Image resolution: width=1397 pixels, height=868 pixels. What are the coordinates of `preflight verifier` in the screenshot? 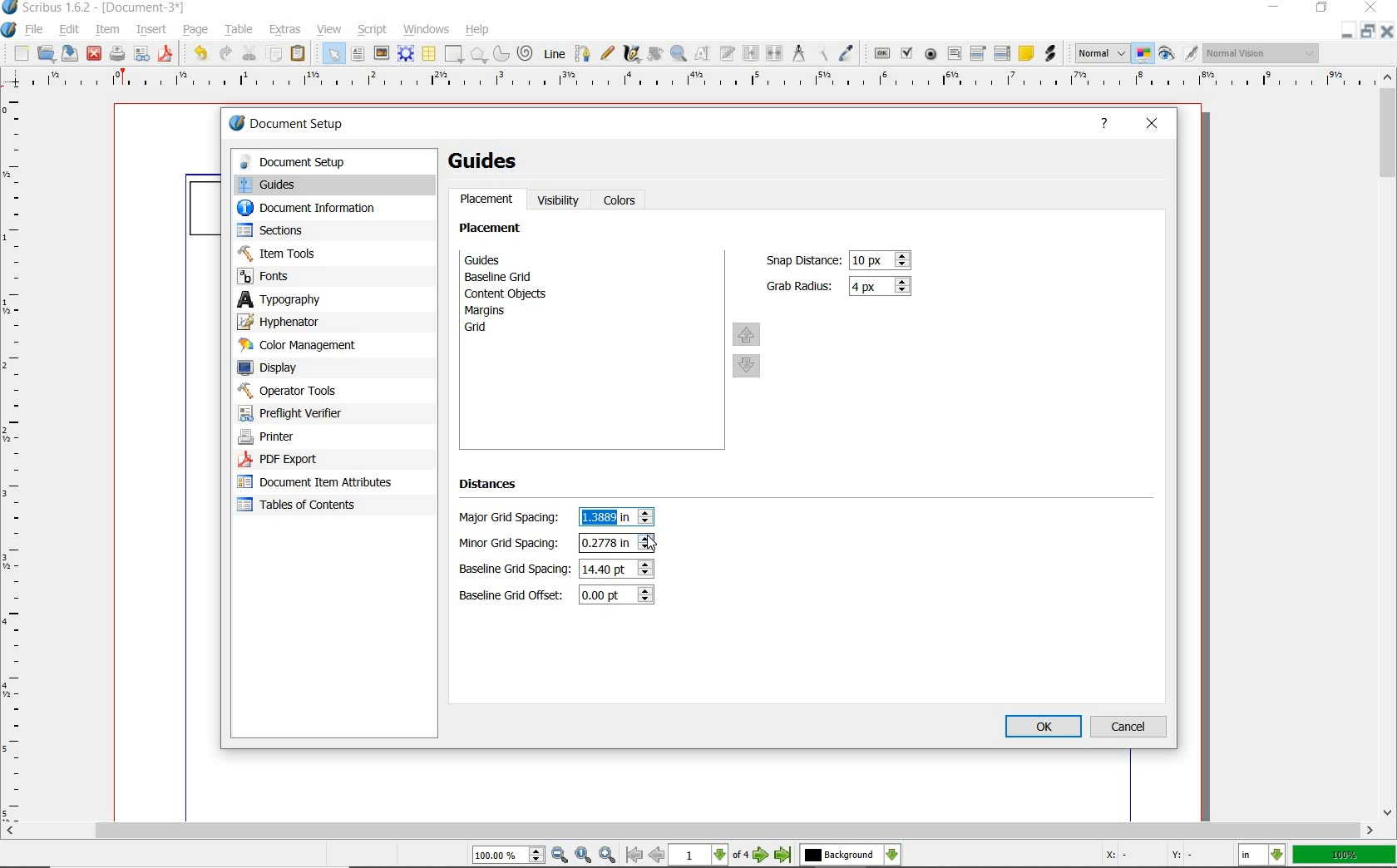 It's located at (309, 413).